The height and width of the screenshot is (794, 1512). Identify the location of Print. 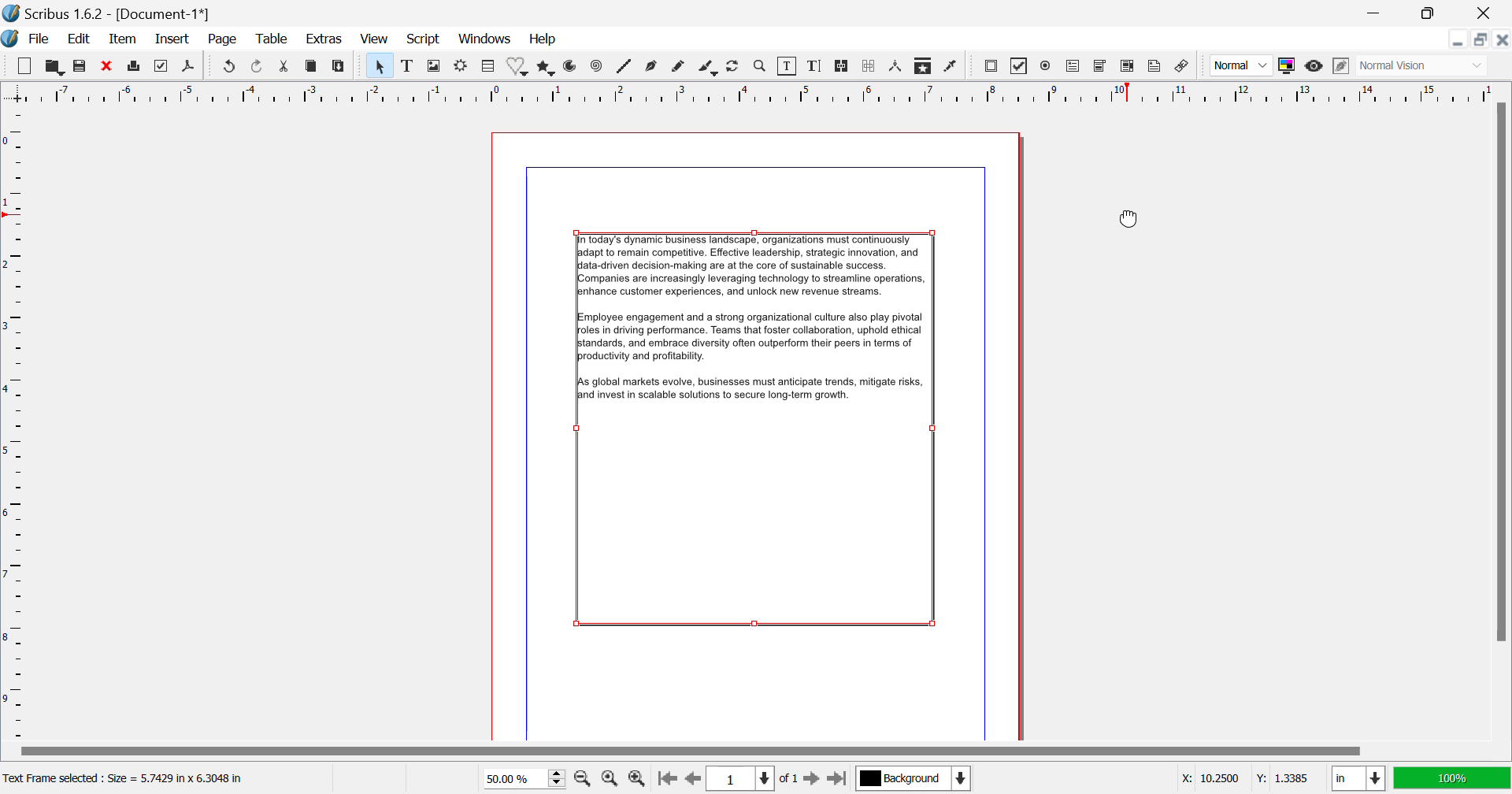
(136, 67).